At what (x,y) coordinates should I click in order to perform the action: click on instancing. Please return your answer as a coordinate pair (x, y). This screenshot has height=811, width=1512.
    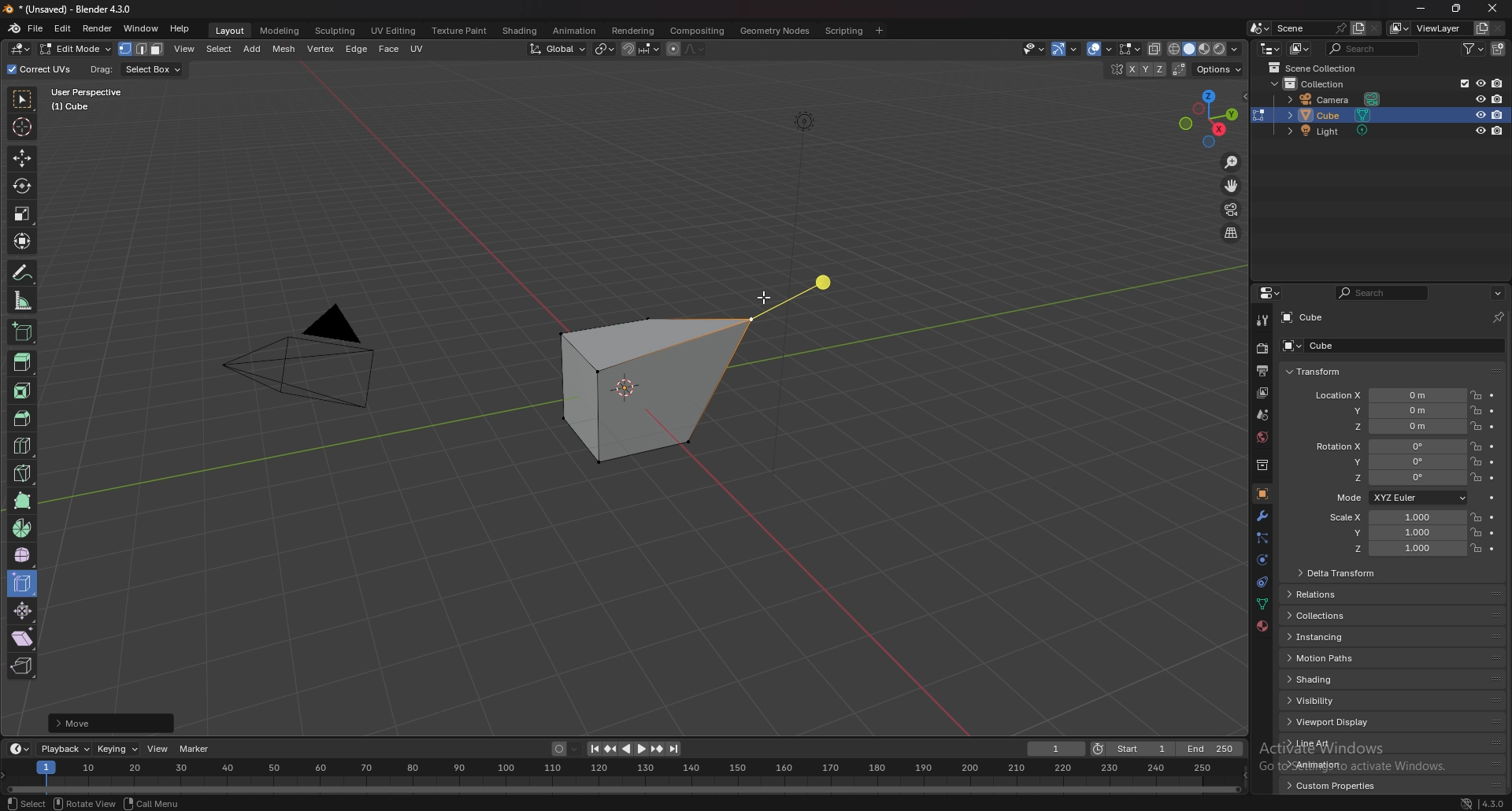
    Looking at the image, I should click on (1329, 639).